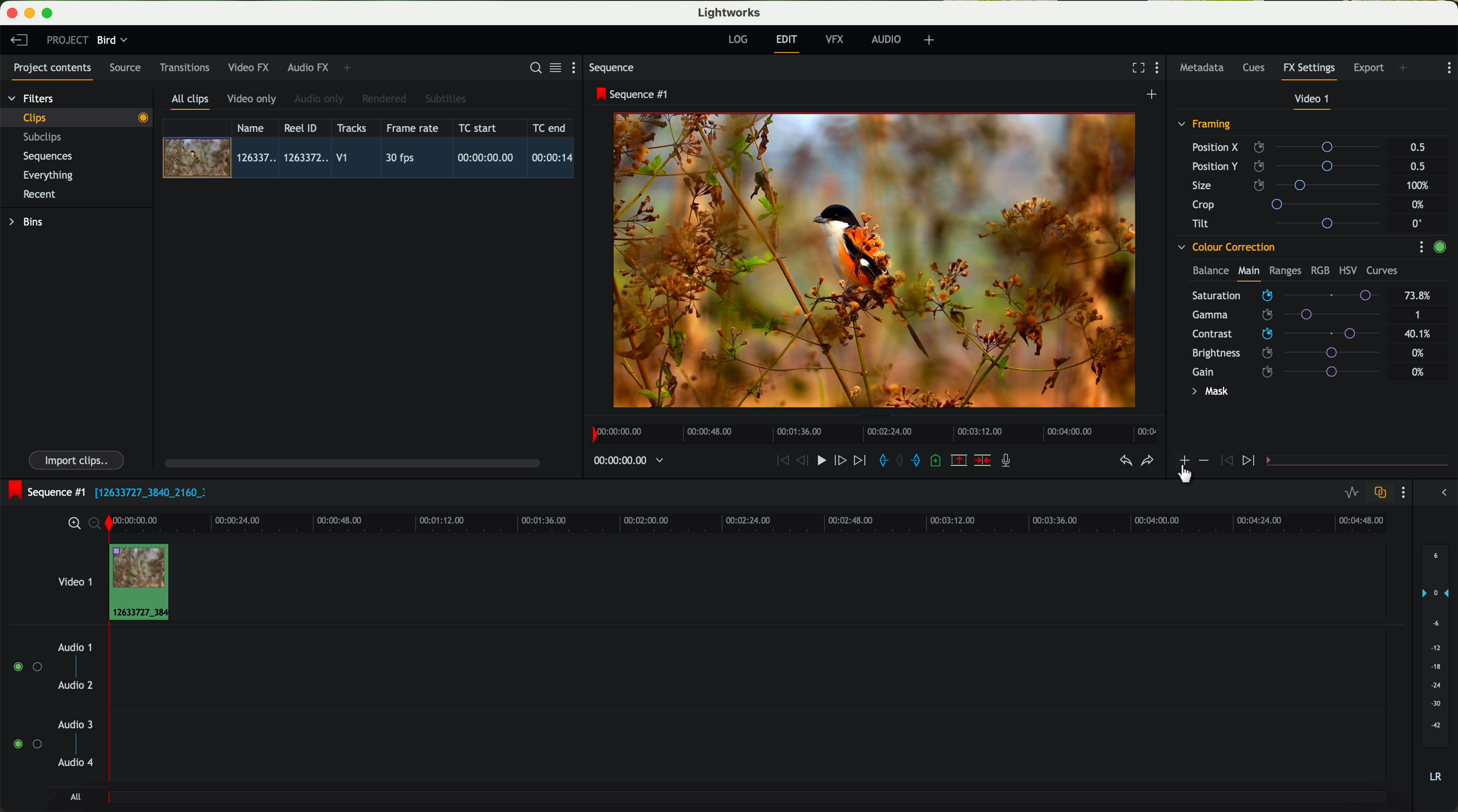  I want to click on record a voice-over, so click(1010, 462).